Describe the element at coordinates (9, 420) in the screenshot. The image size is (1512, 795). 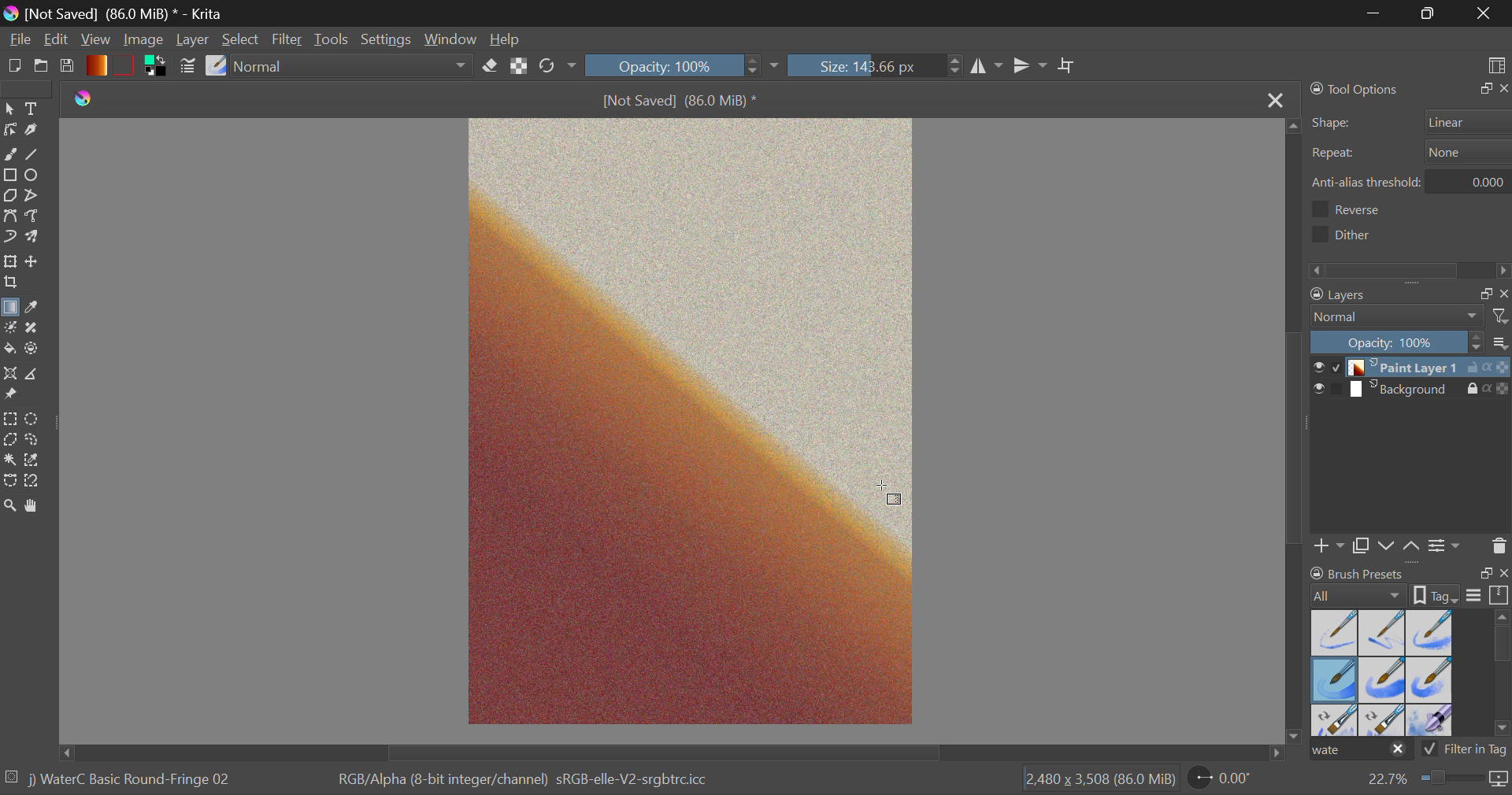
I see `Rectangular Selection` at that location.